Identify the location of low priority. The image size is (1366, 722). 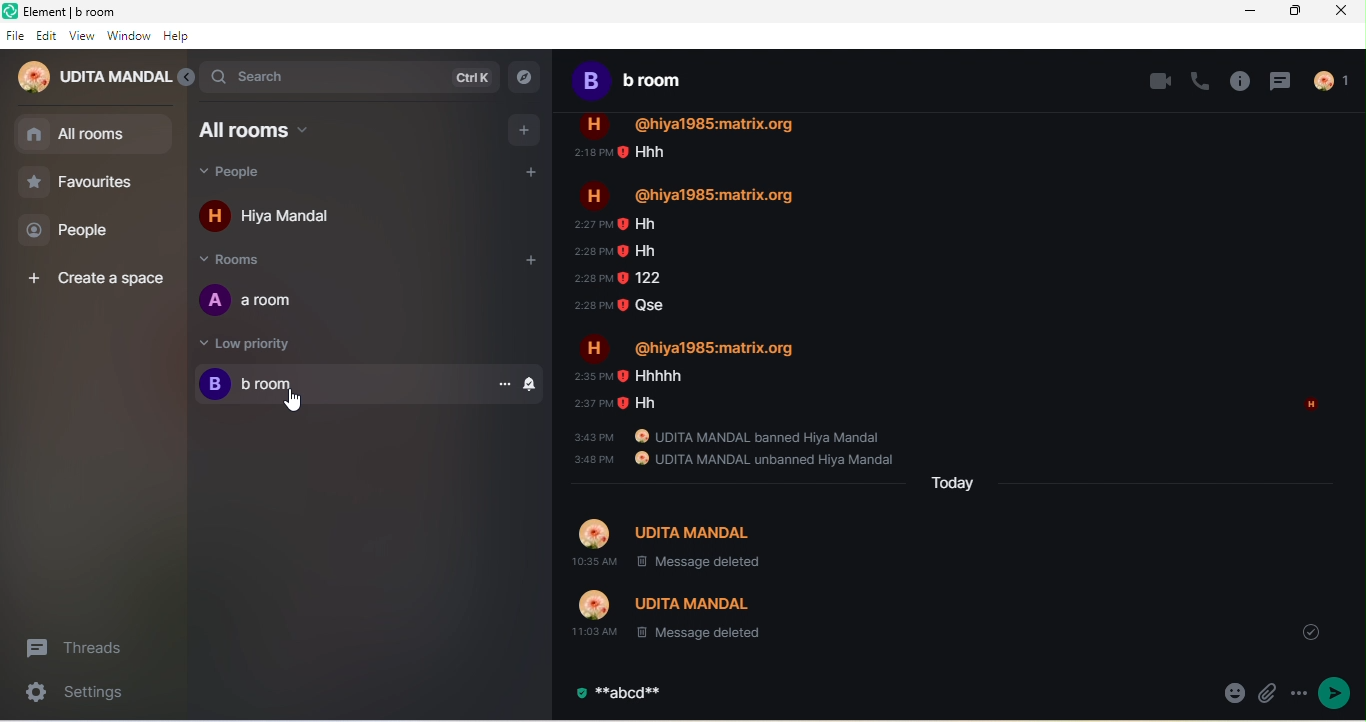
(274, 344).